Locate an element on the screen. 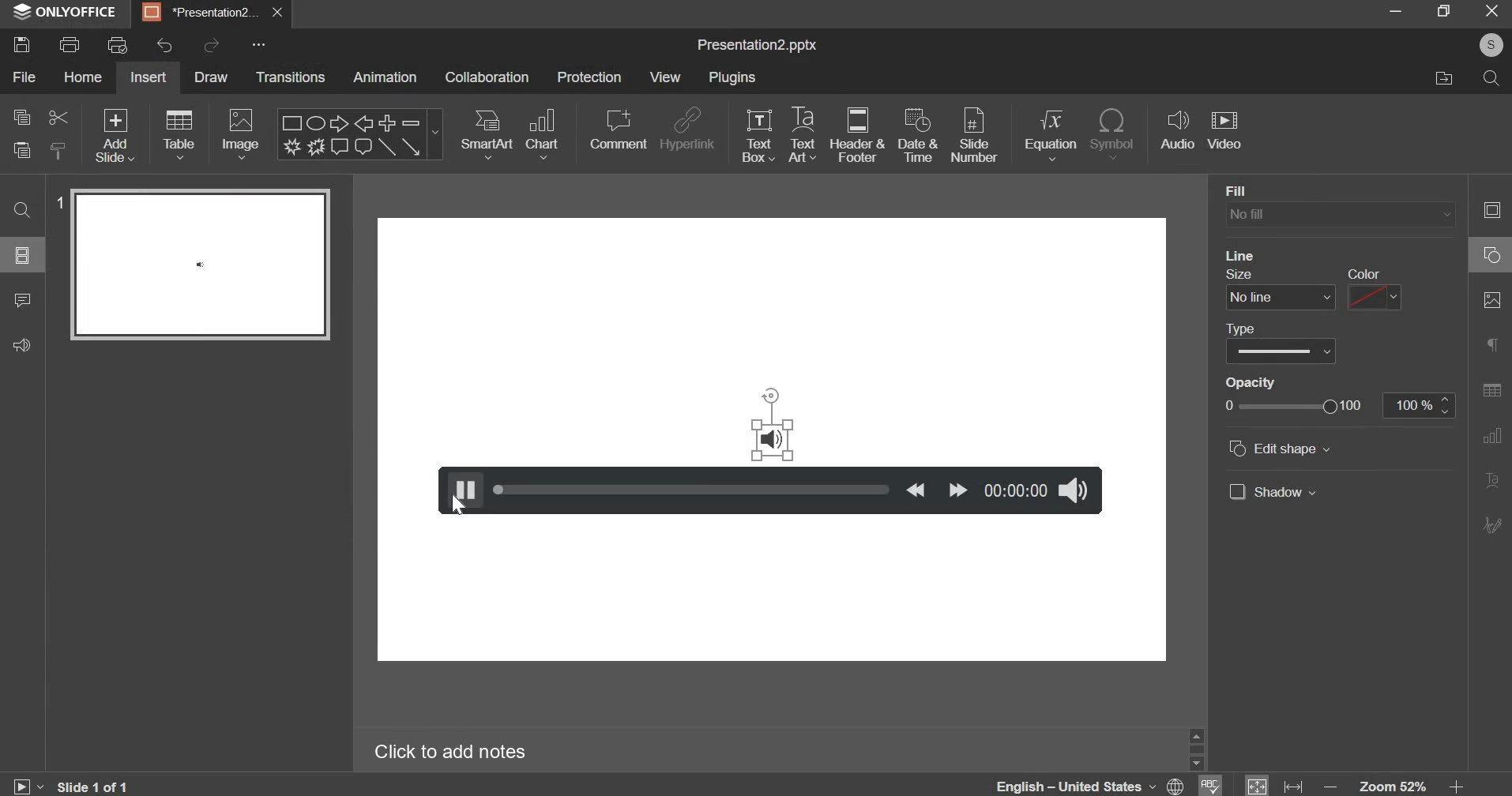 Image resolution: width=1512 pixels, height=796 pixels. save is located at coordinates (27, 42).